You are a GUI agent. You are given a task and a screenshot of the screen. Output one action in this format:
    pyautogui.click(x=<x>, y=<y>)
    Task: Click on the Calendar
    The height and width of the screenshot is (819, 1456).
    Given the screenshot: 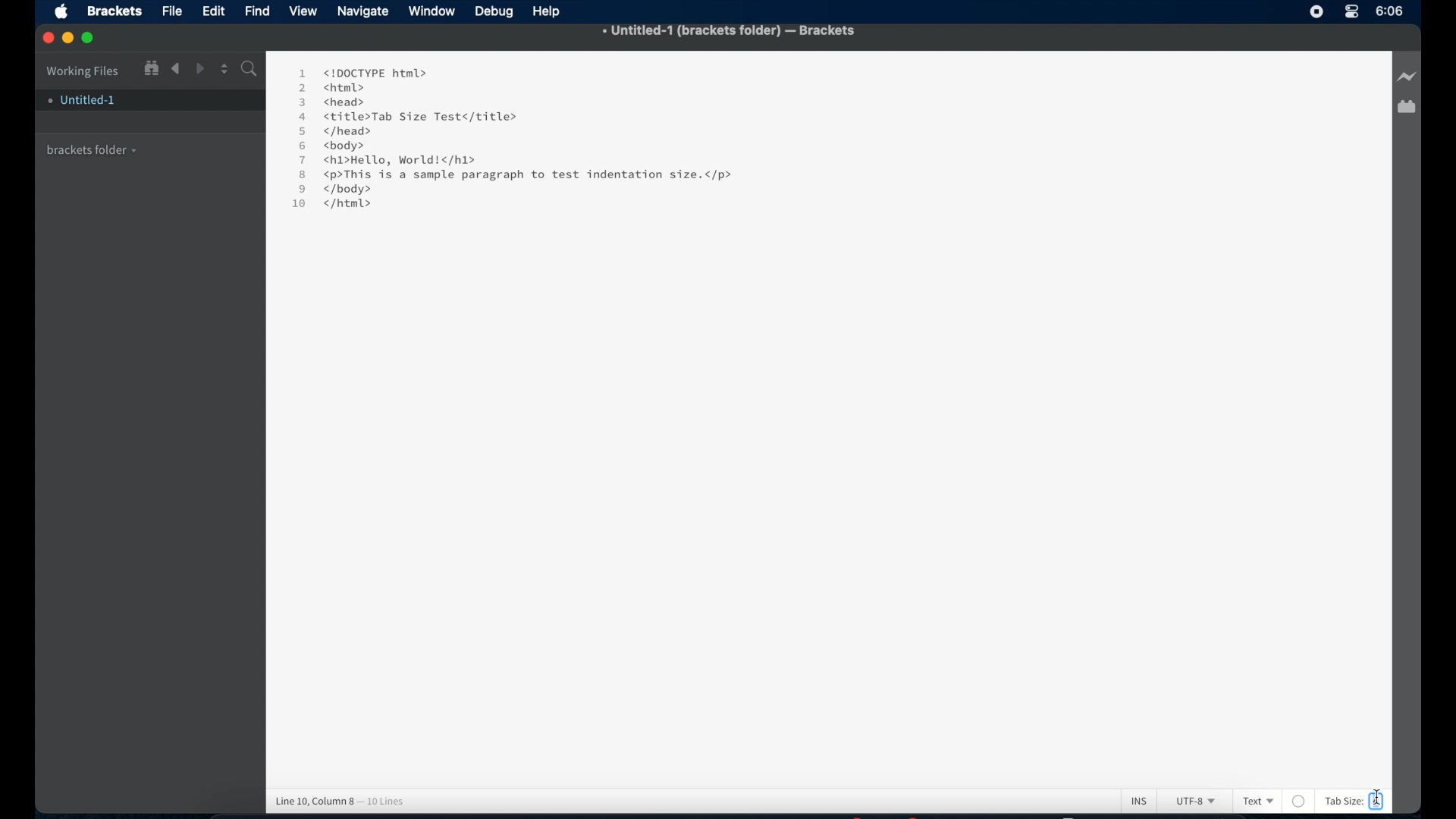 What is the action you would take?
    pyautogui.click(x=1406, y=108)
    